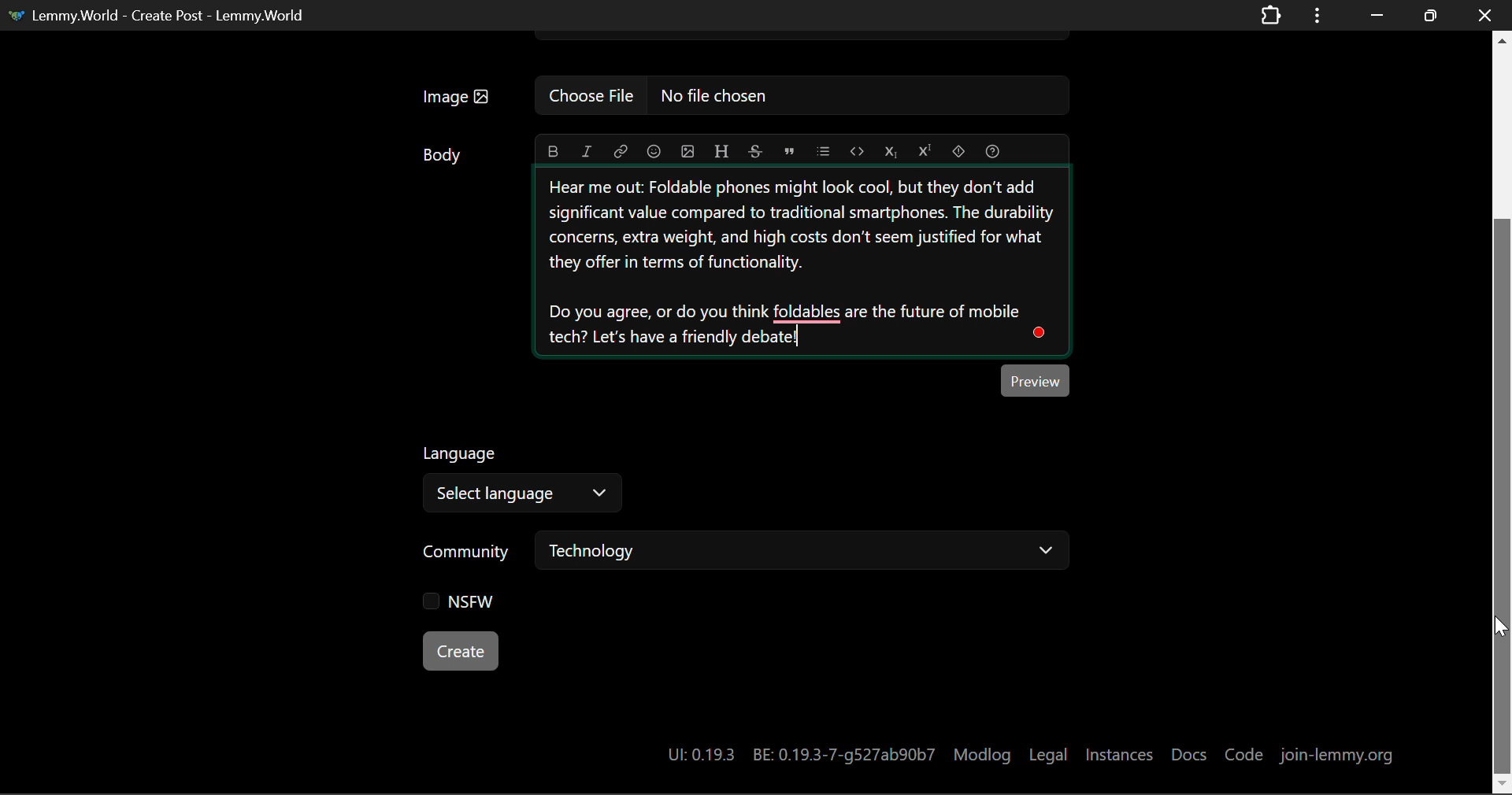 The width and height of the screenshot is (1512, 795). I want to click on Instances, so click(1121, 751).